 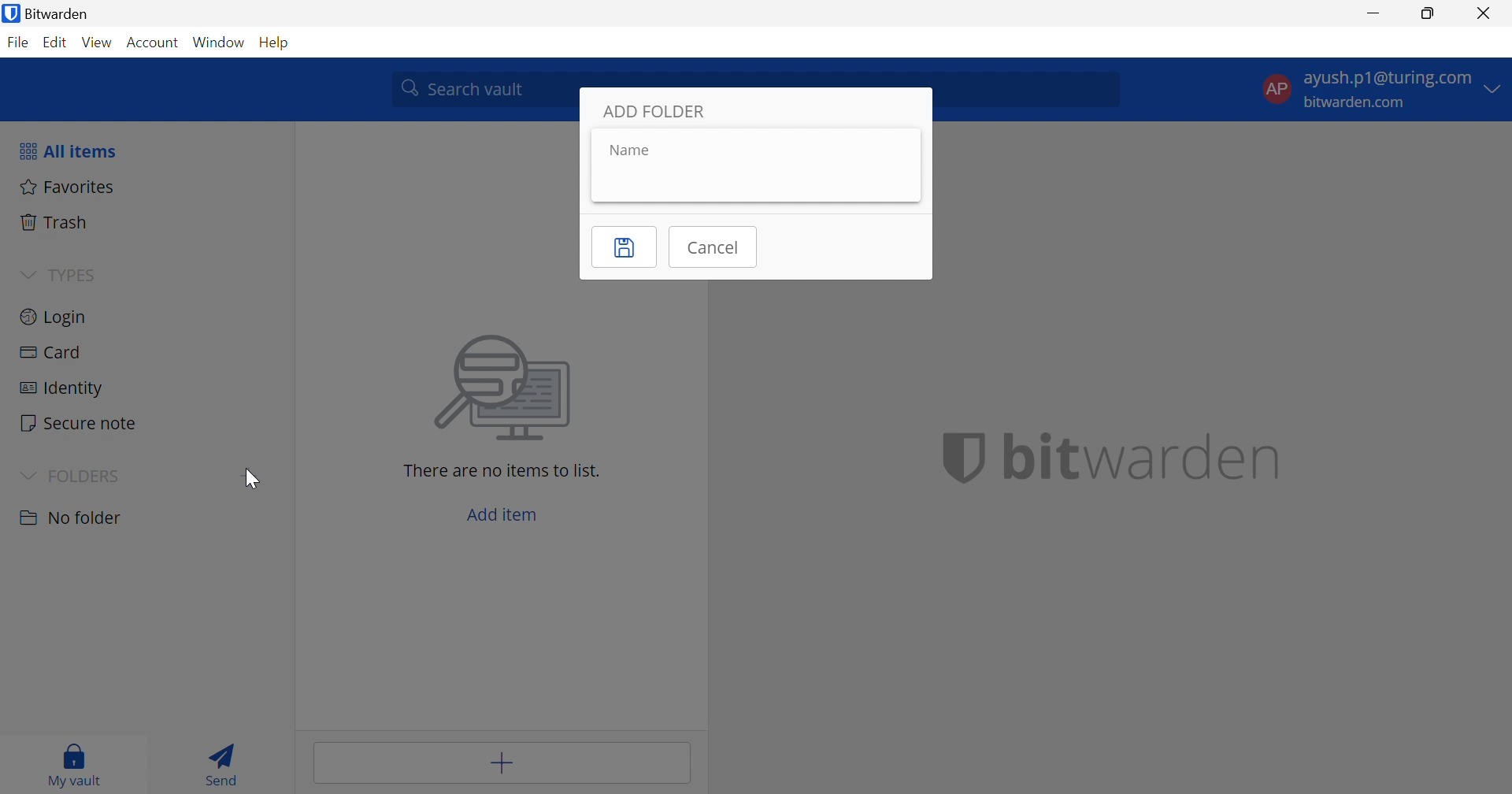 I want to click on Edit, so click(x=58, y=43).